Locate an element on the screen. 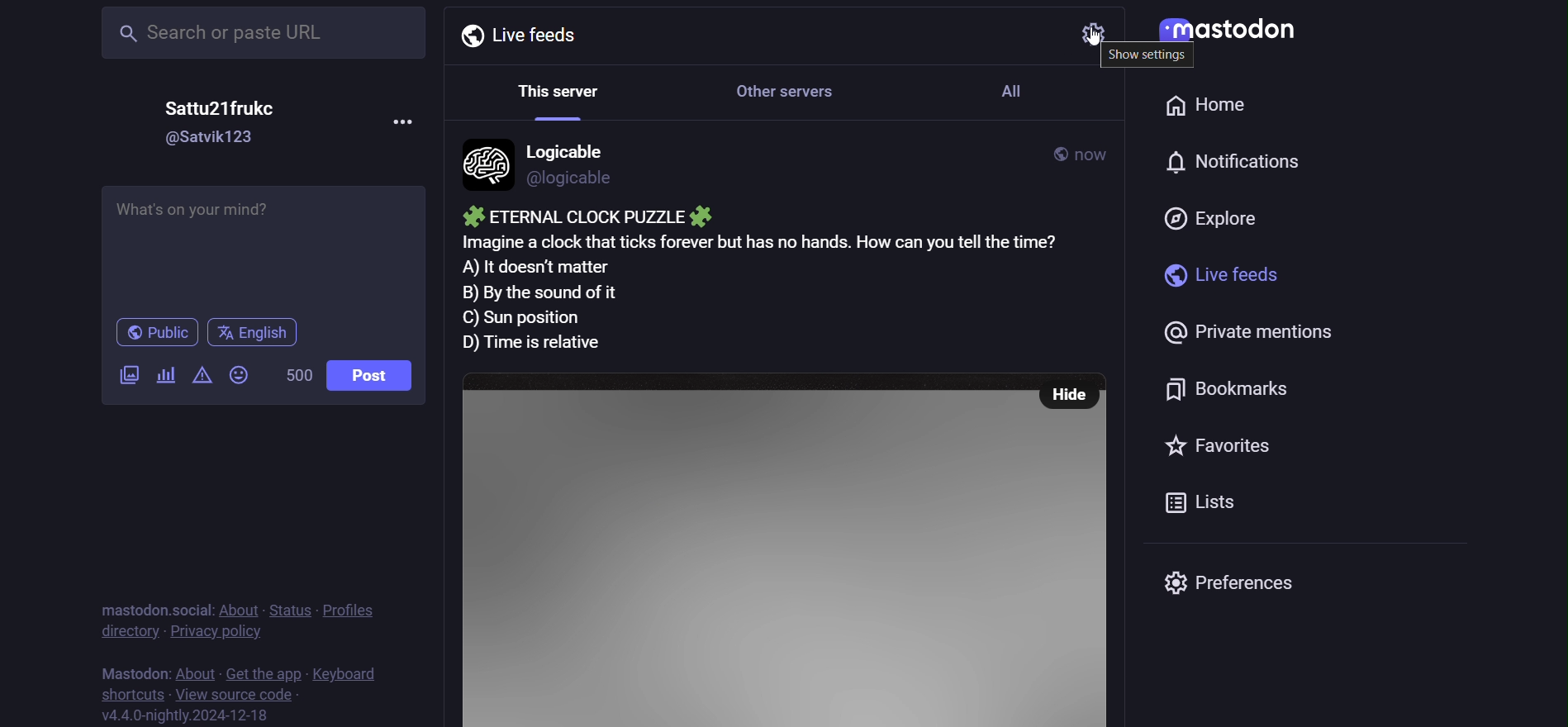 The image size is (1568, 727). preferences is located at coordinates (1236, 584).